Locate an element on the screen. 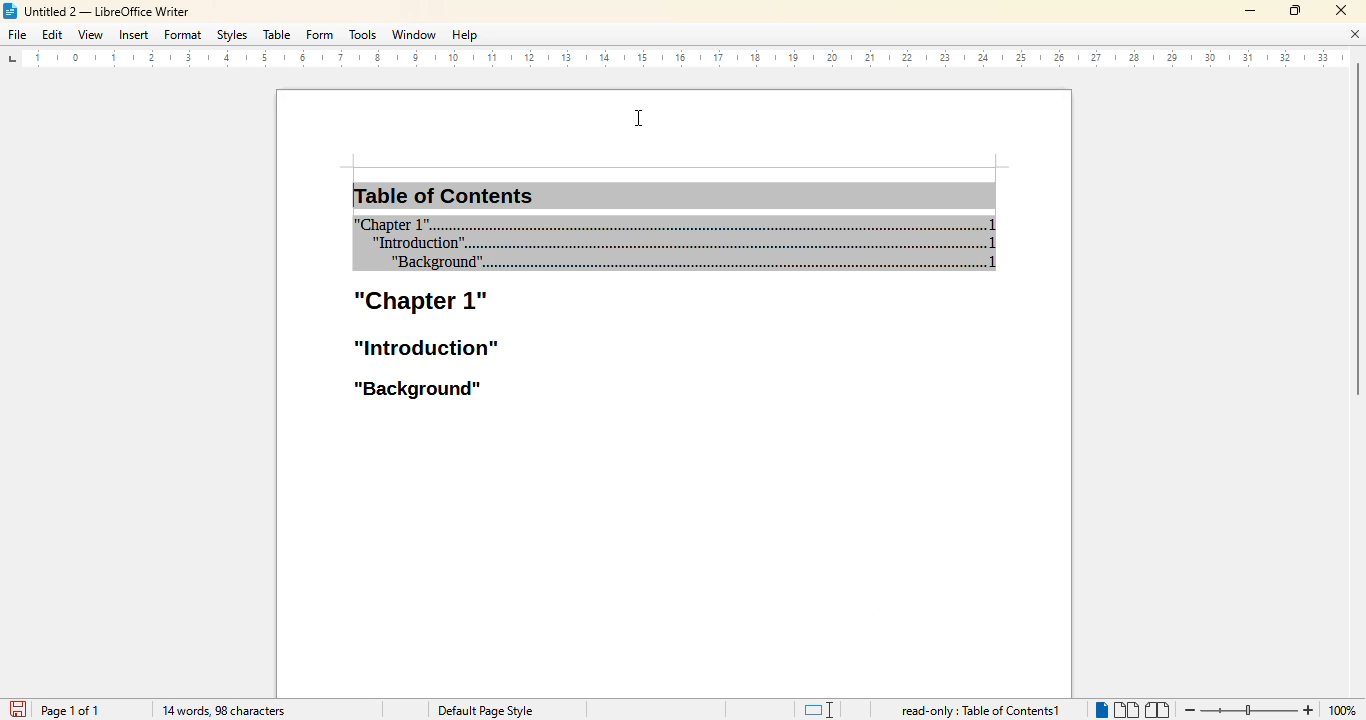 The height and width of the screenshot is (720, 1366). styles is located at coordinates (232, 34).